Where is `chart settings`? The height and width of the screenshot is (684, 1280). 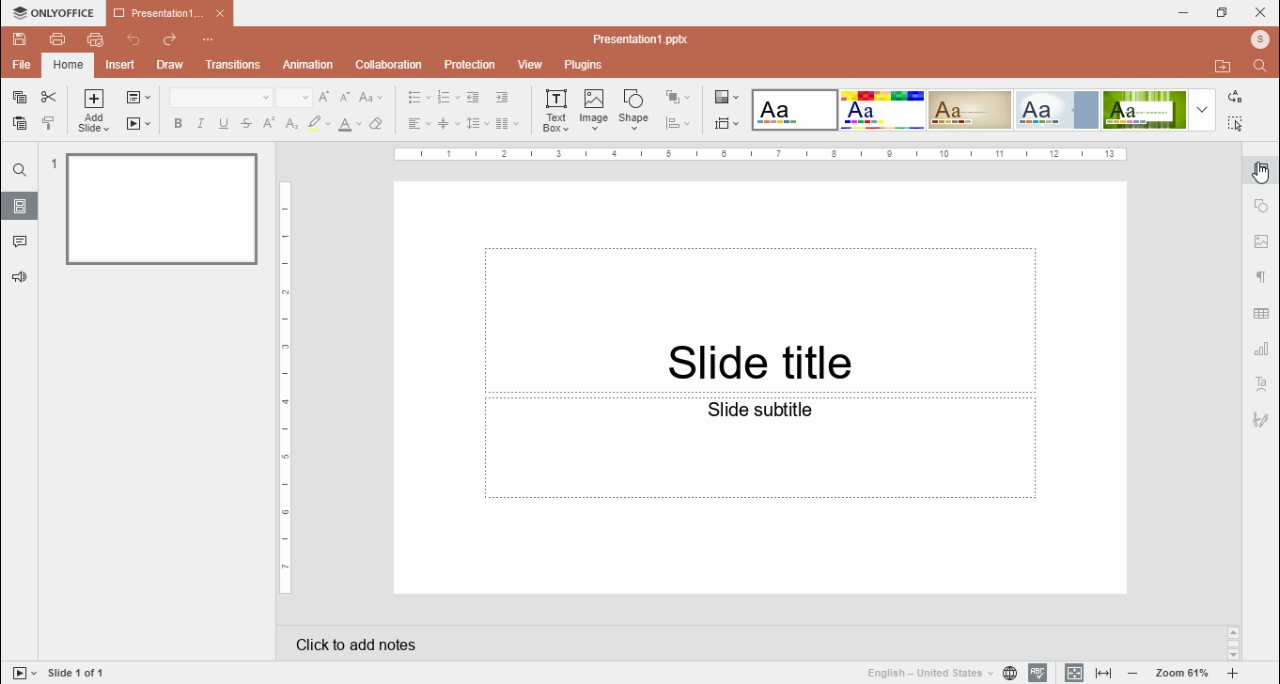 chart settings is located at coordinates (1262, 350).